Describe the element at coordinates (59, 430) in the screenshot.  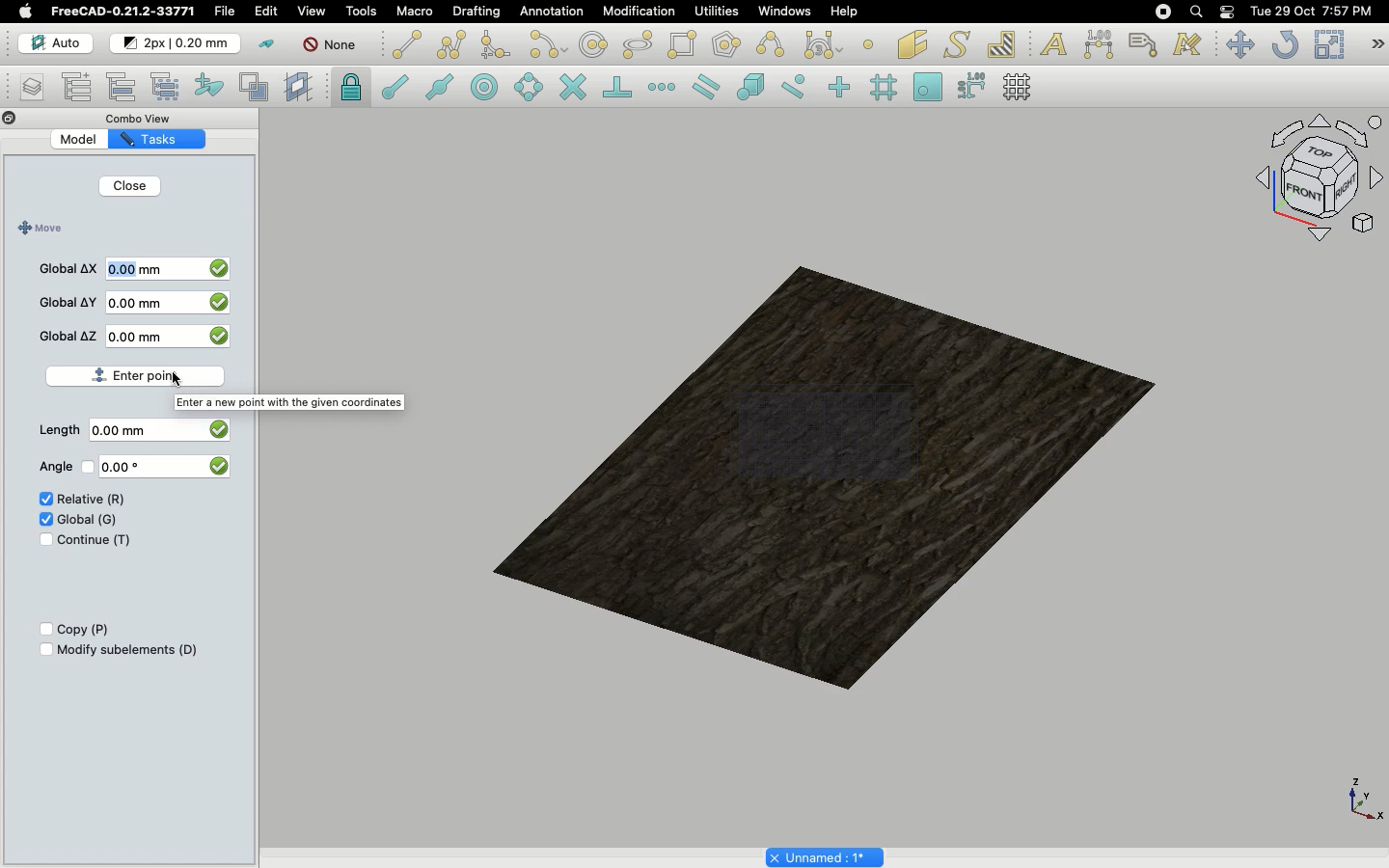
I see `Length` at that location.